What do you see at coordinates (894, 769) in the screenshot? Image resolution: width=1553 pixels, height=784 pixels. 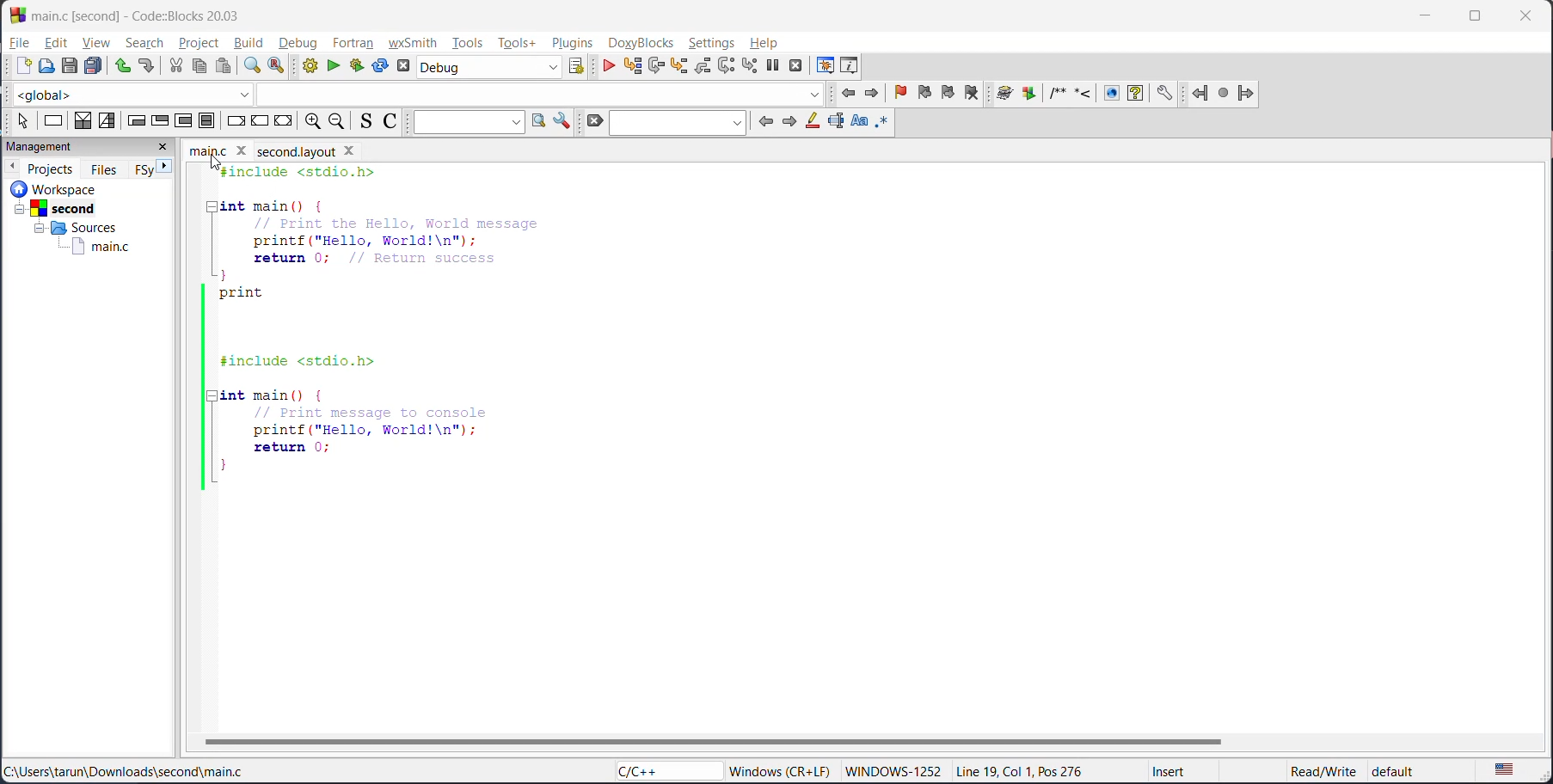 I see `Windows-1252` at bounding box center [894, 769].